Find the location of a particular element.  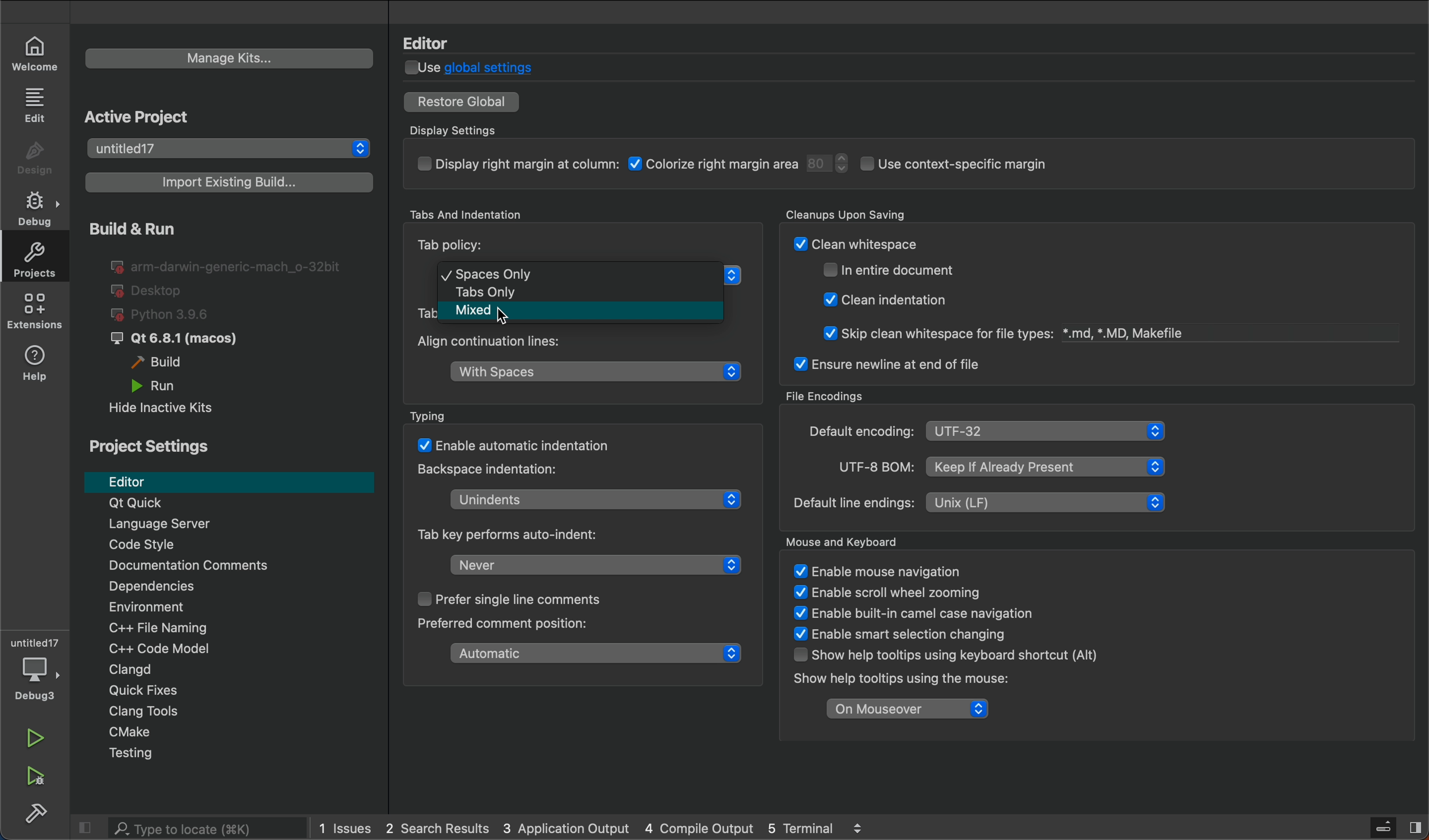

tab policy is located at coordinates (594, 275).